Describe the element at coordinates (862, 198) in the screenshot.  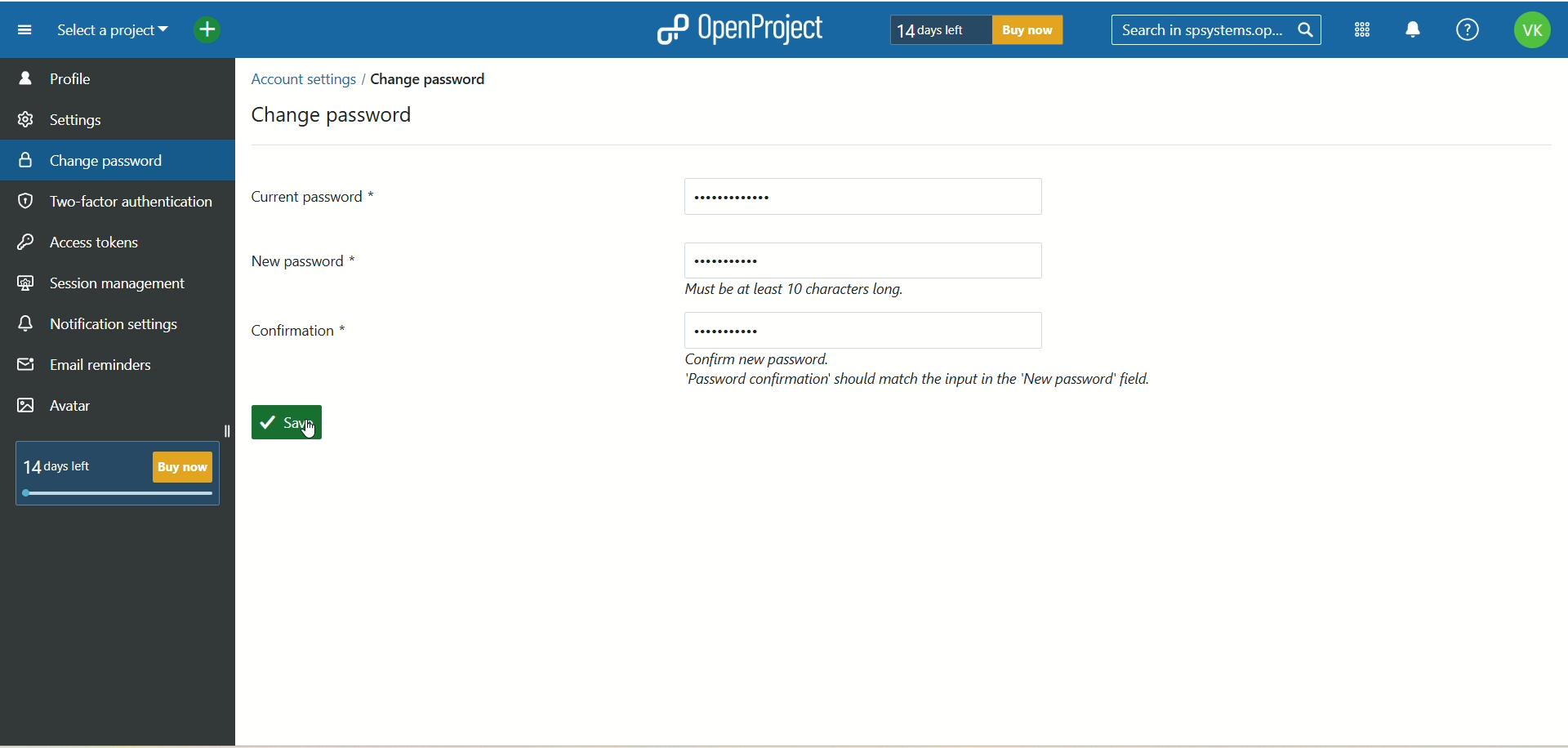
I see `current password` at that location.